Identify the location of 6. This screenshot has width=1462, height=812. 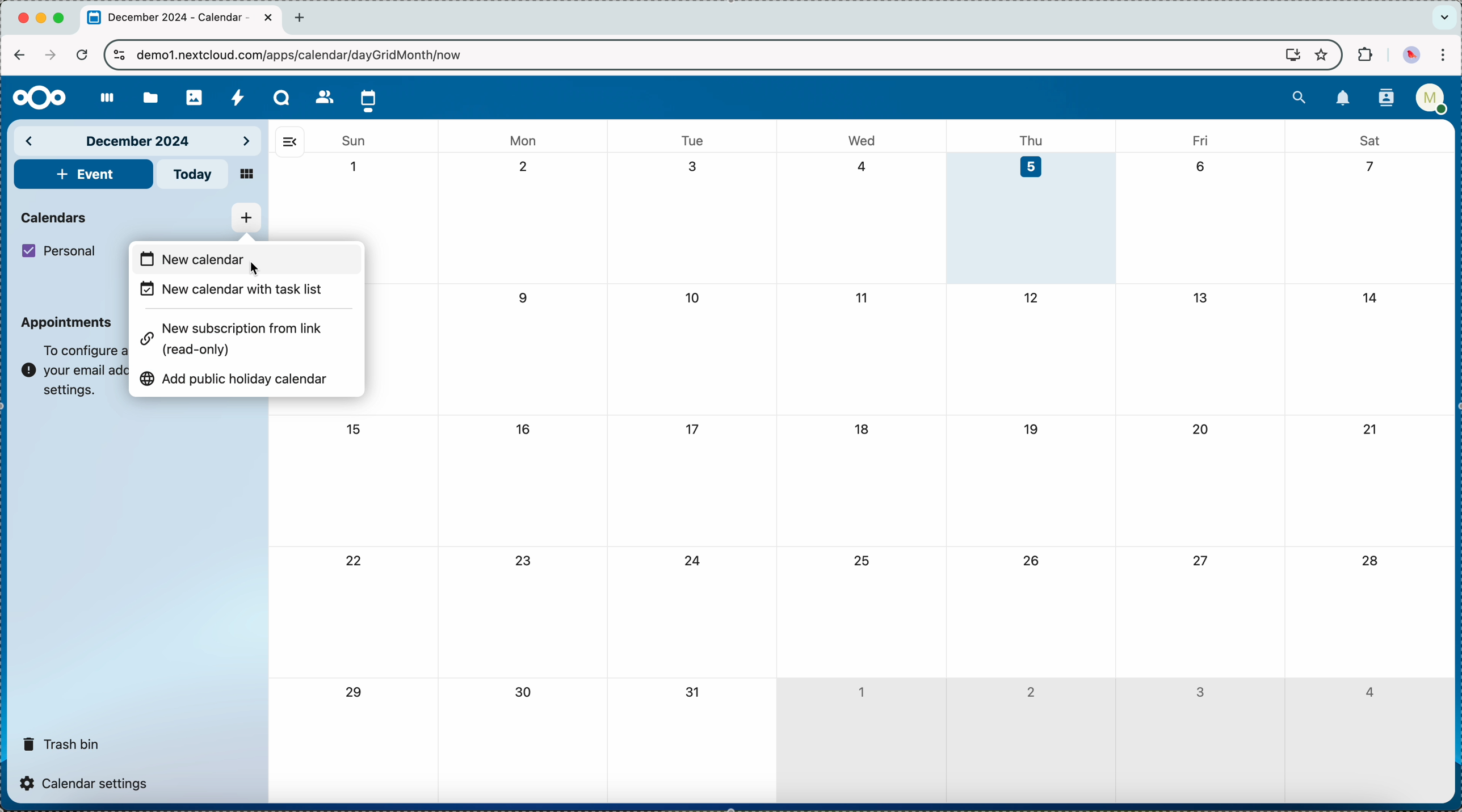
(1200, 165).